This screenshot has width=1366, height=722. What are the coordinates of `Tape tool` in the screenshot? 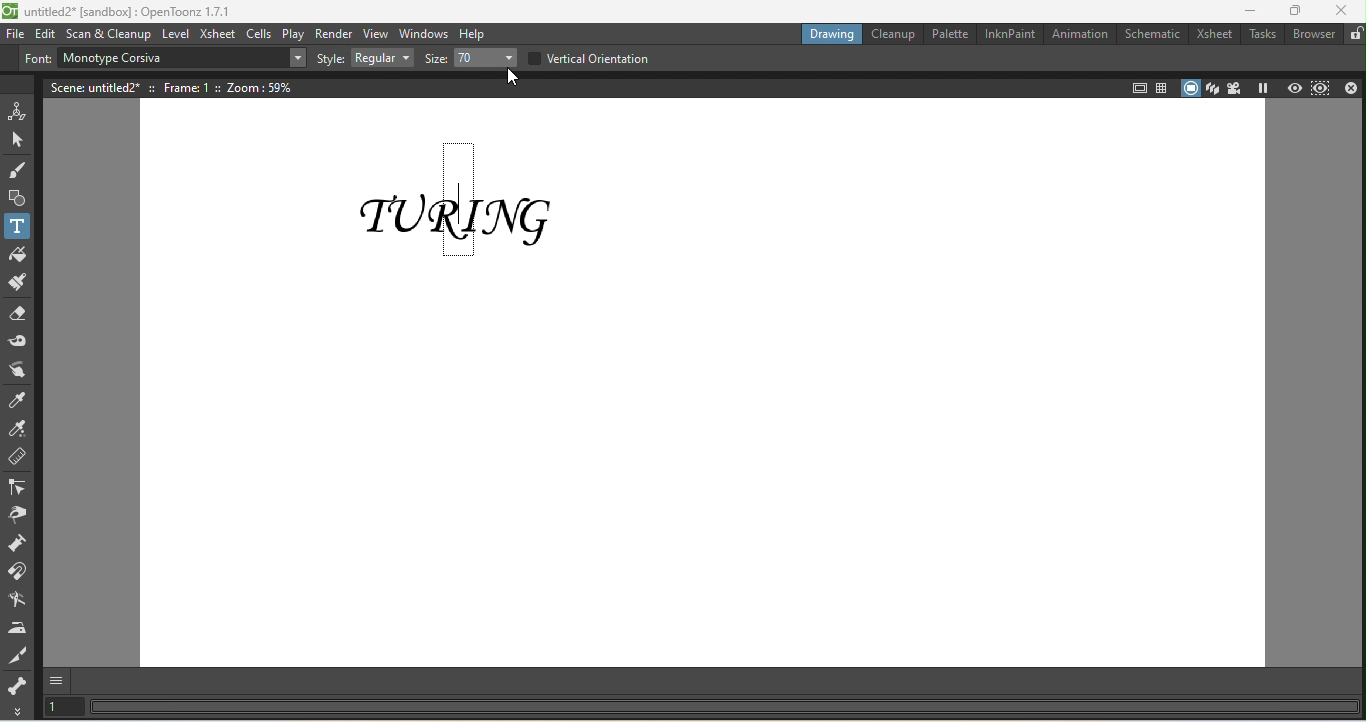 It's located at (17, 340).